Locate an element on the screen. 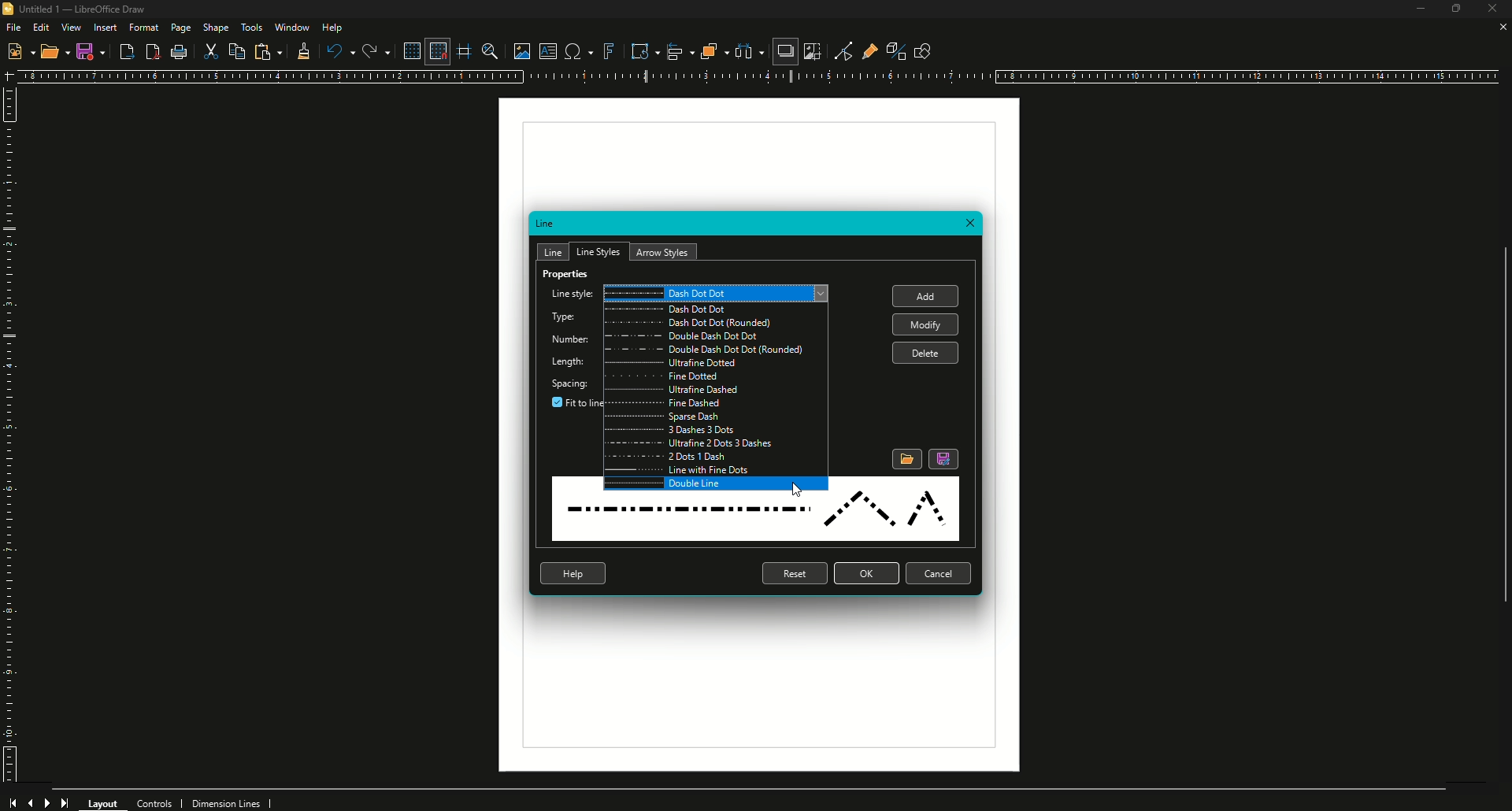 The width and height of the screenshot is (1512, 811). Line With Fine Dots is located at coordinates (715, 469).